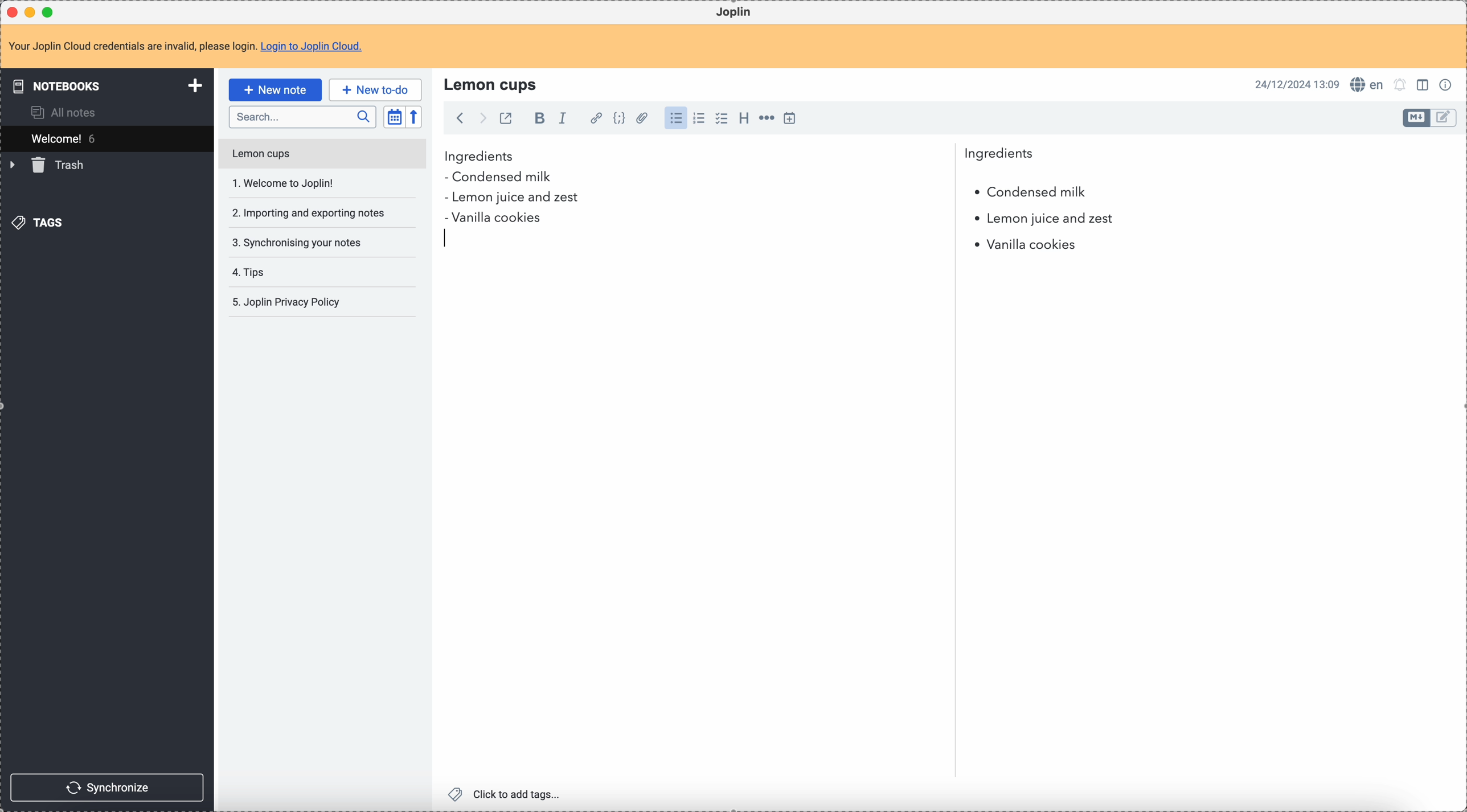 This screenshot has width=1467, height=812. I want to click on Joplin, so click(733, 13).